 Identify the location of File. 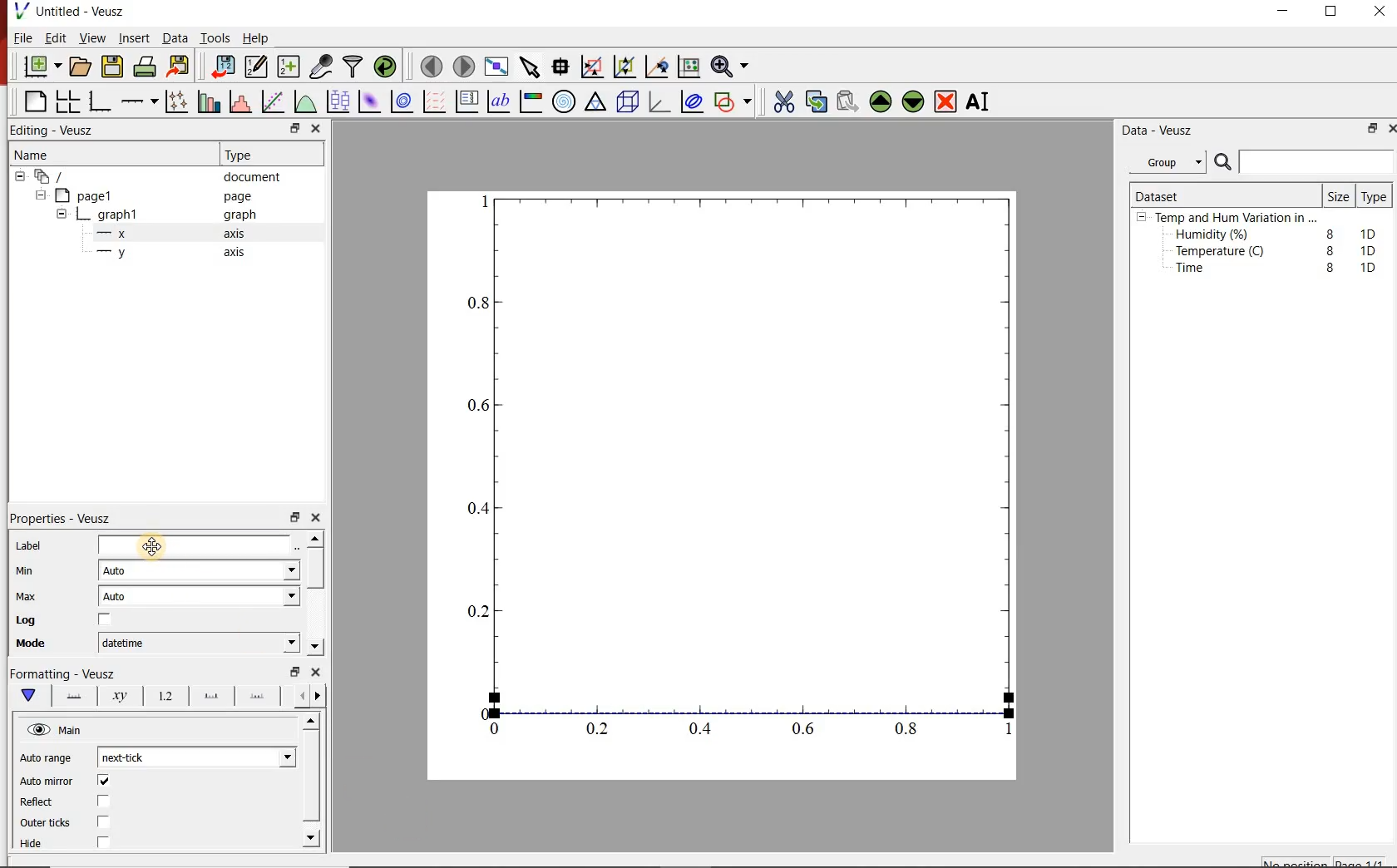
(19, 37).